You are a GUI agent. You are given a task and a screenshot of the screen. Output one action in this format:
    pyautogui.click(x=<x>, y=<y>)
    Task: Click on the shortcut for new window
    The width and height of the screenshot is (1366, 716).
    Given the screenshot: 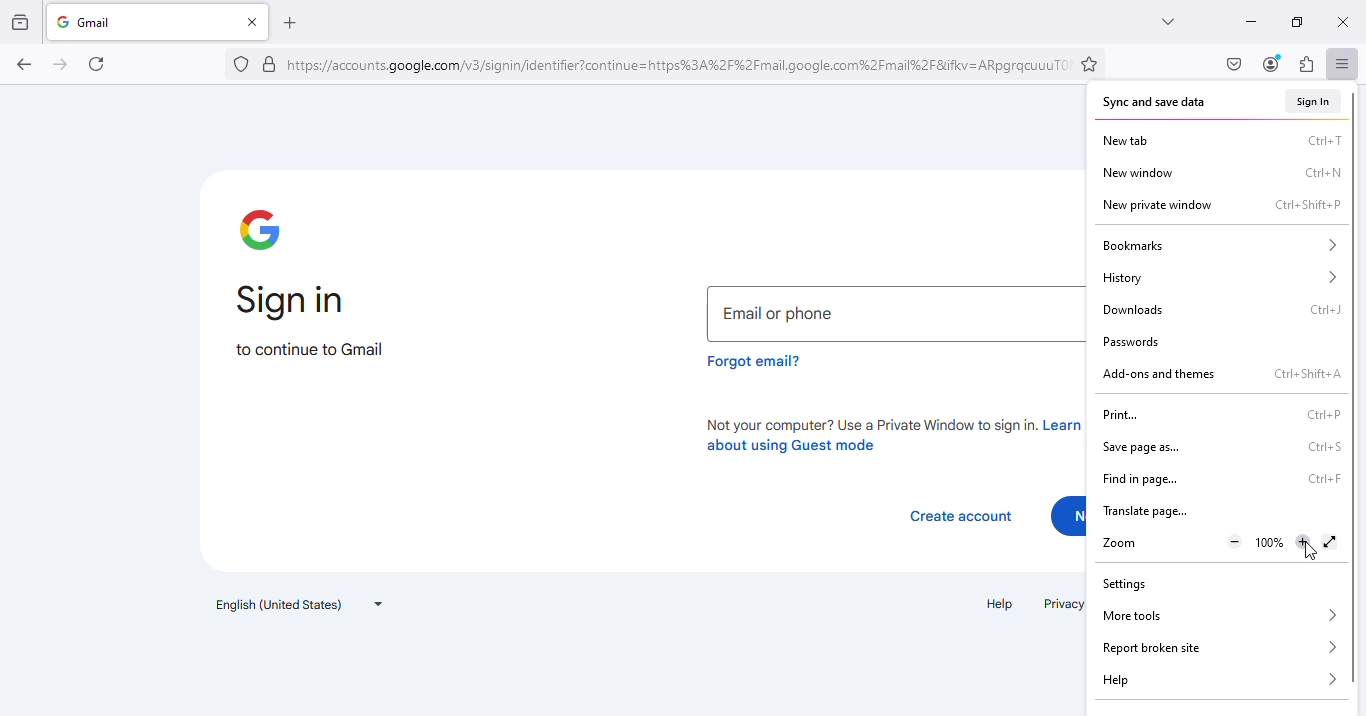 What is the action you would take?
    pyautogui.click(x=1322, y=172)
    